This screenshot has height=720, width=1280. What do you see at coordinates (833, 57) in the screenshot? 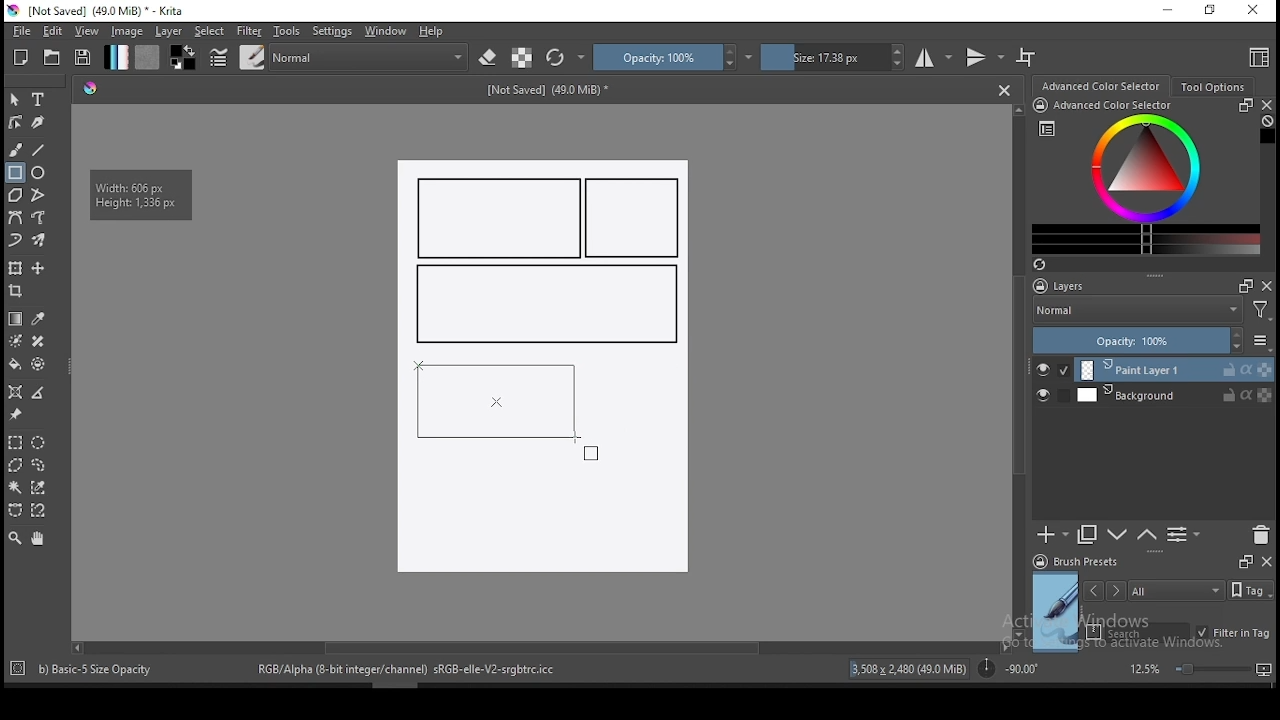
I see `size` at bounding box center [833, 57].